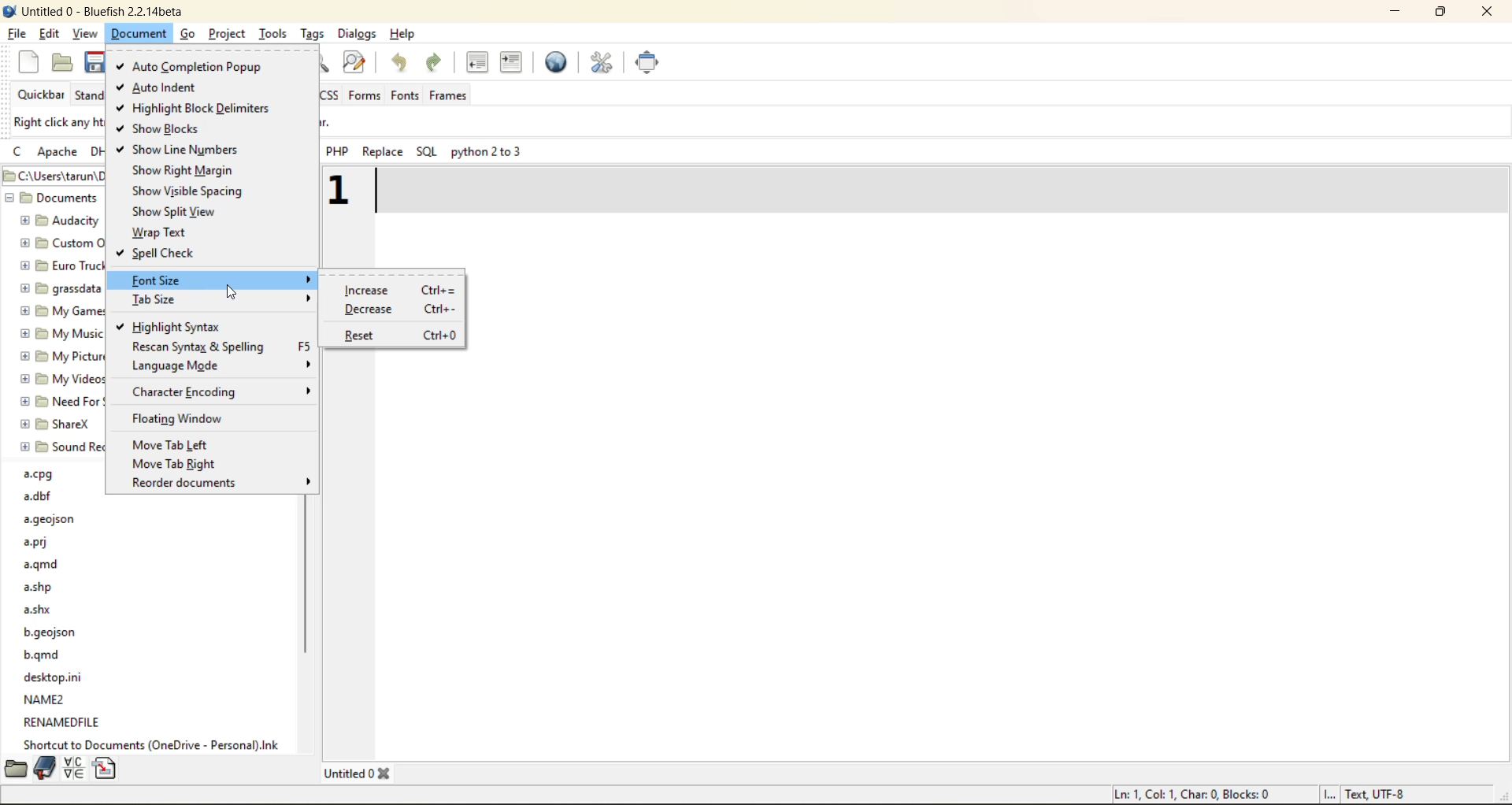 The width and height of the screenshot is (1512, 805). What do you see at coordinates (1193, 794) in the screenshot?
I see `Ln: 1, Col: 1, Char: 0, Blocks: 0` at bounding box center [1193, 794].